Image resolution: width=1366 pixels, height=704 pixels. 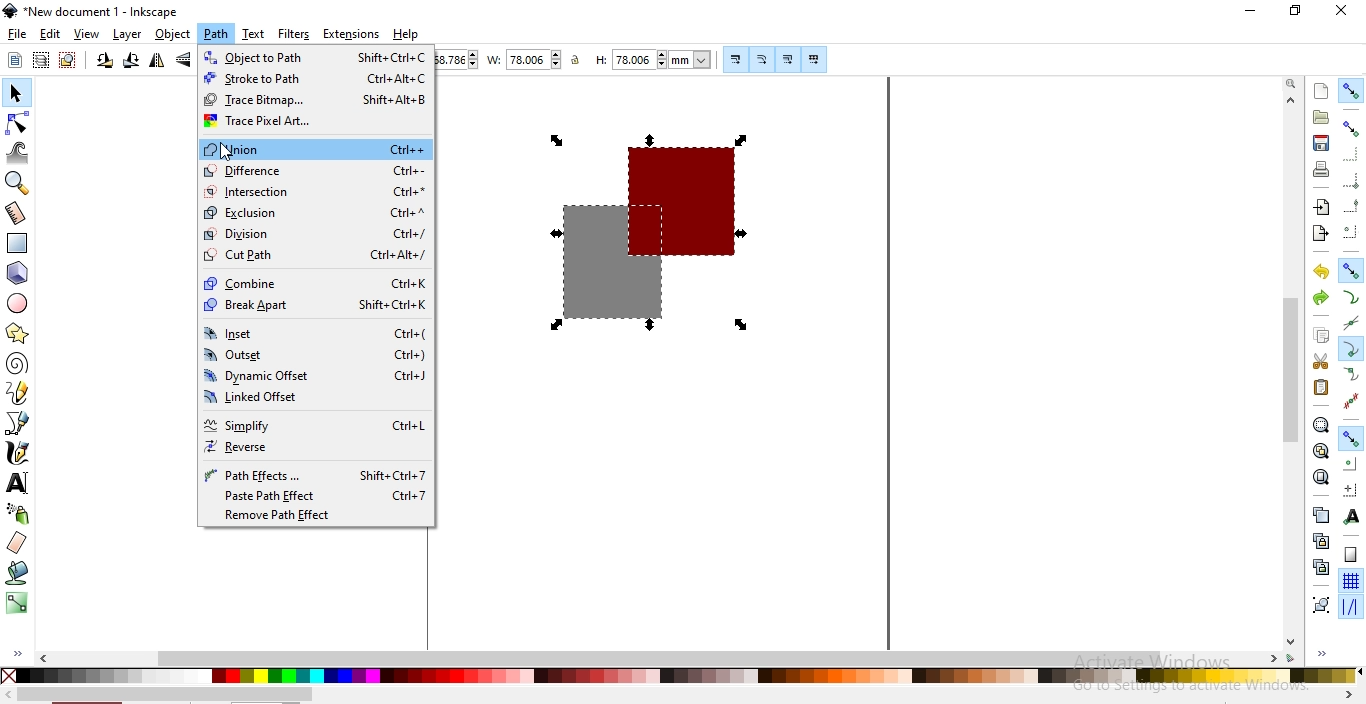 What do you see at coordinates (17, 213) in the screenshot?
I see `measurement tool` at bounding box center [17, 213].